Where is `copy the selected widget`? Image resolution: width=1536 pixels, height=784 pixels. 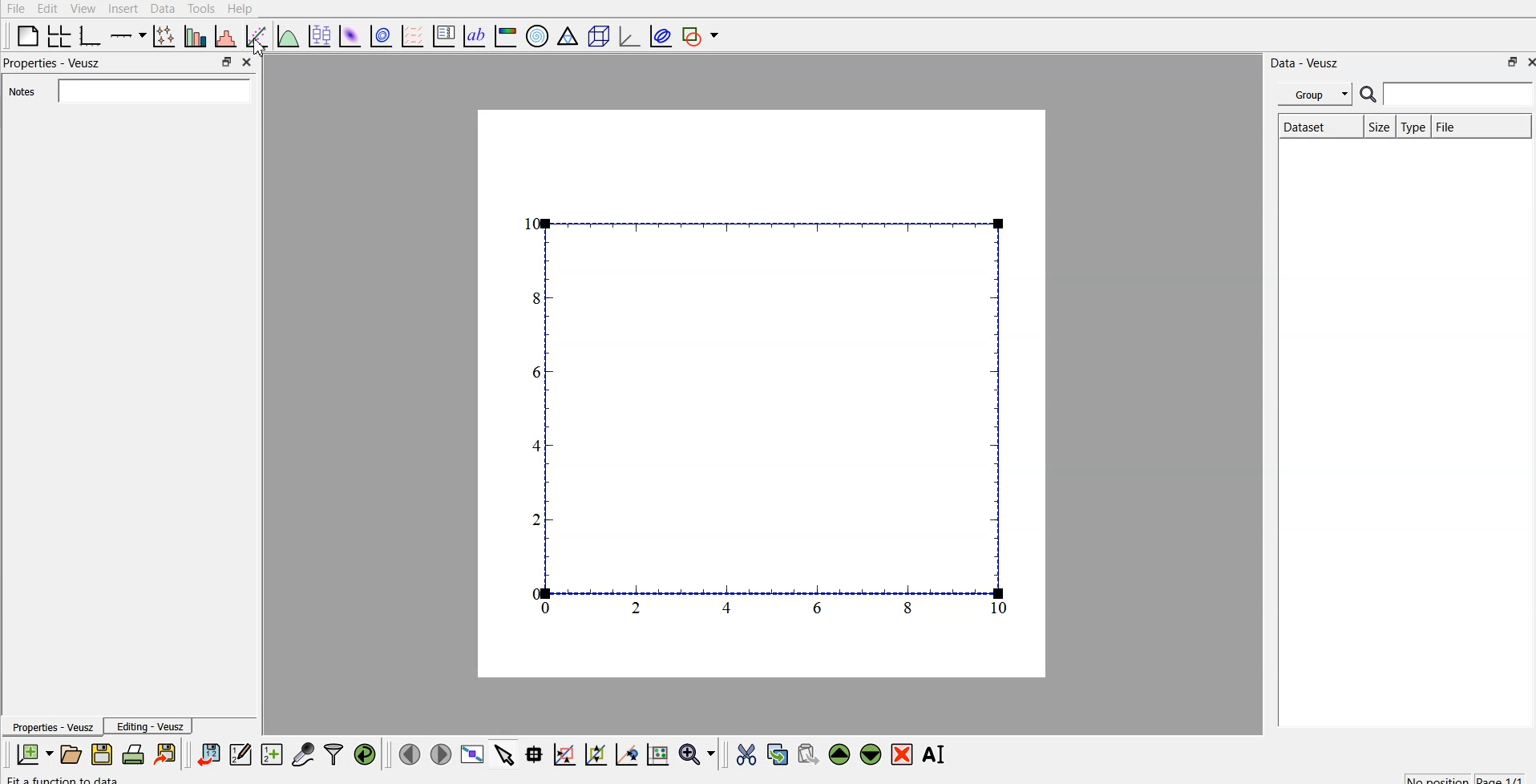 copy the selected widget is located at coordinates (778, 756).